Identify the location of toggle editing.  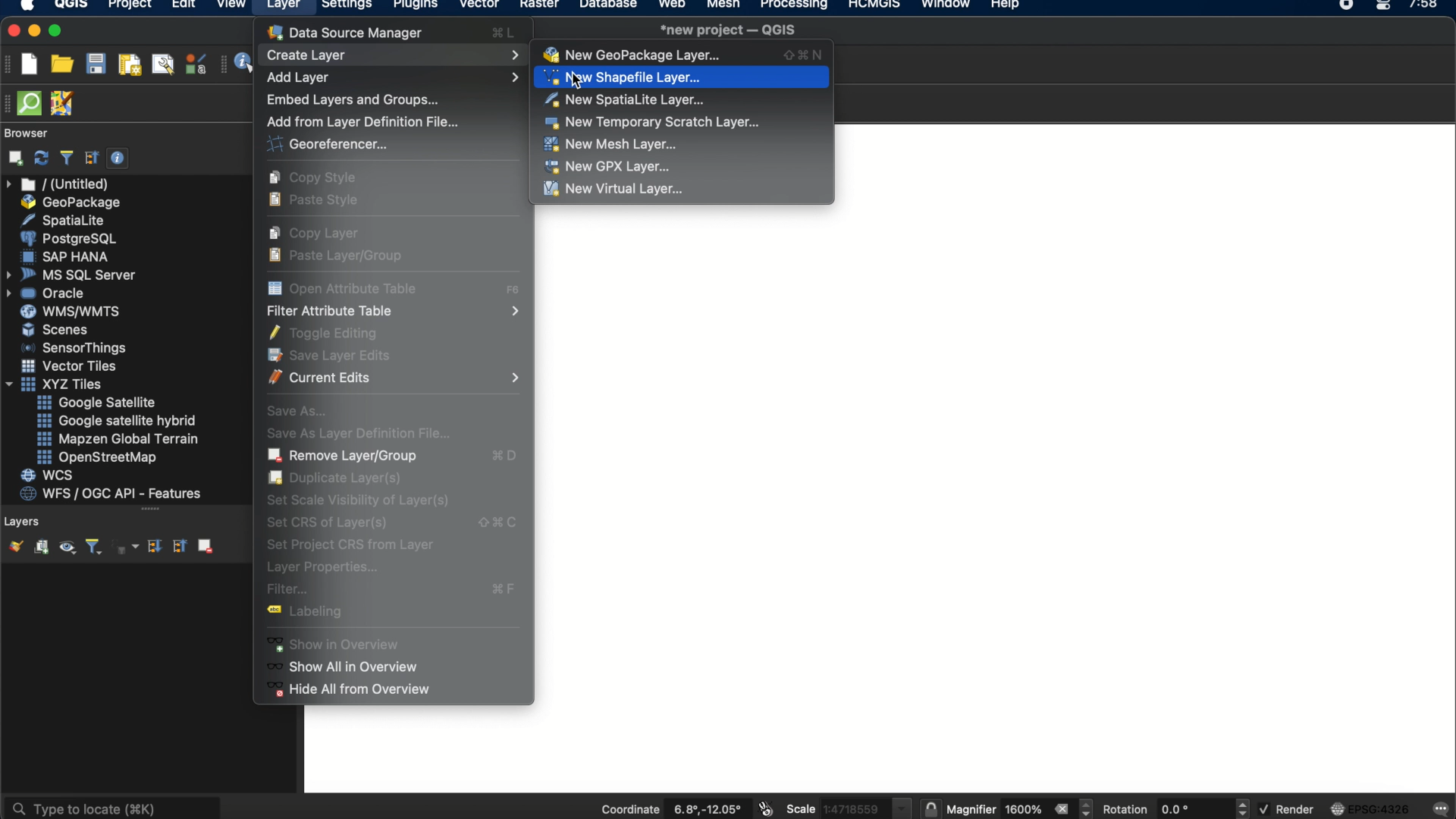
(322, 332).